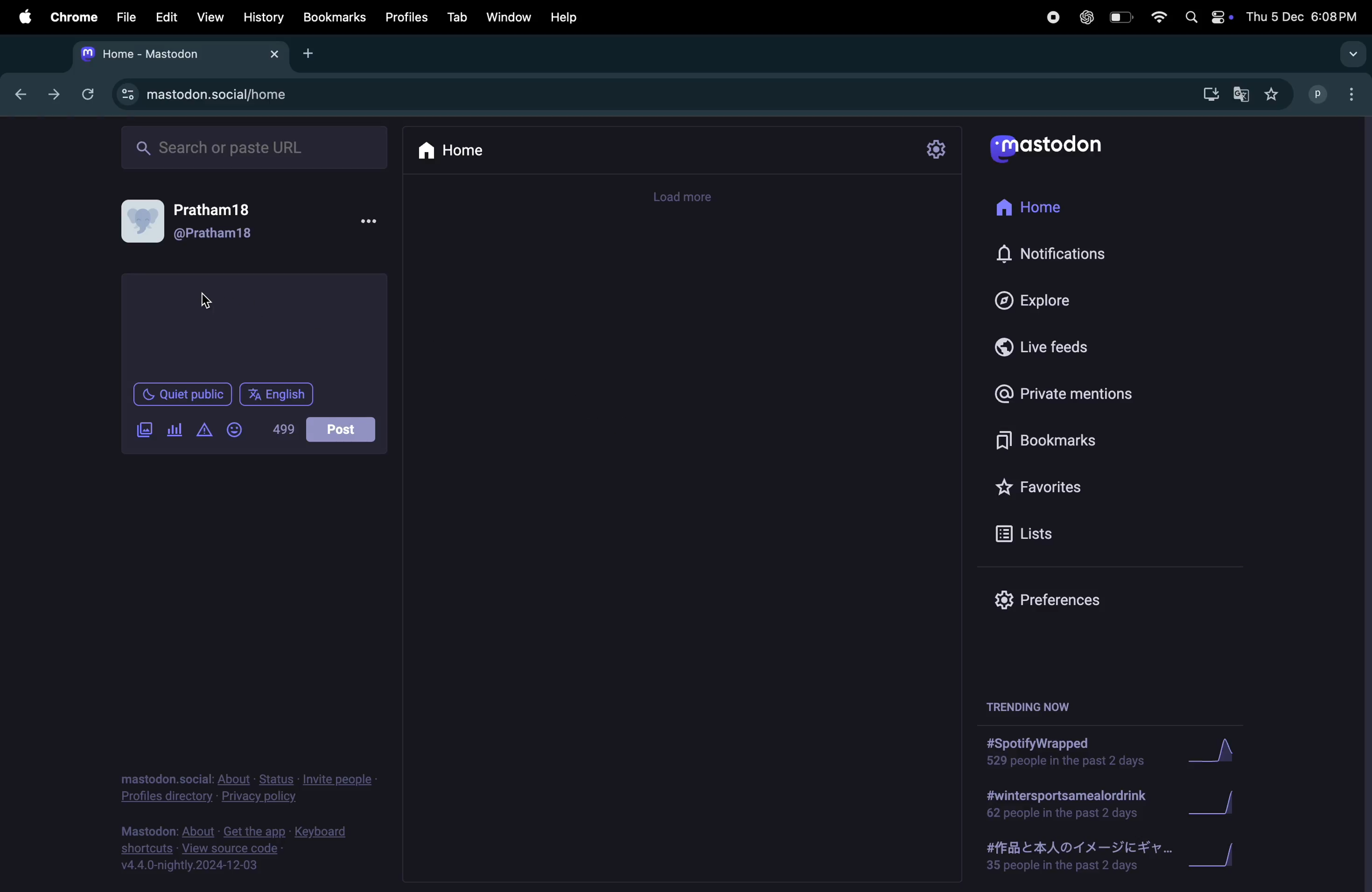  I want to click on trending now, so click(1034, 701).